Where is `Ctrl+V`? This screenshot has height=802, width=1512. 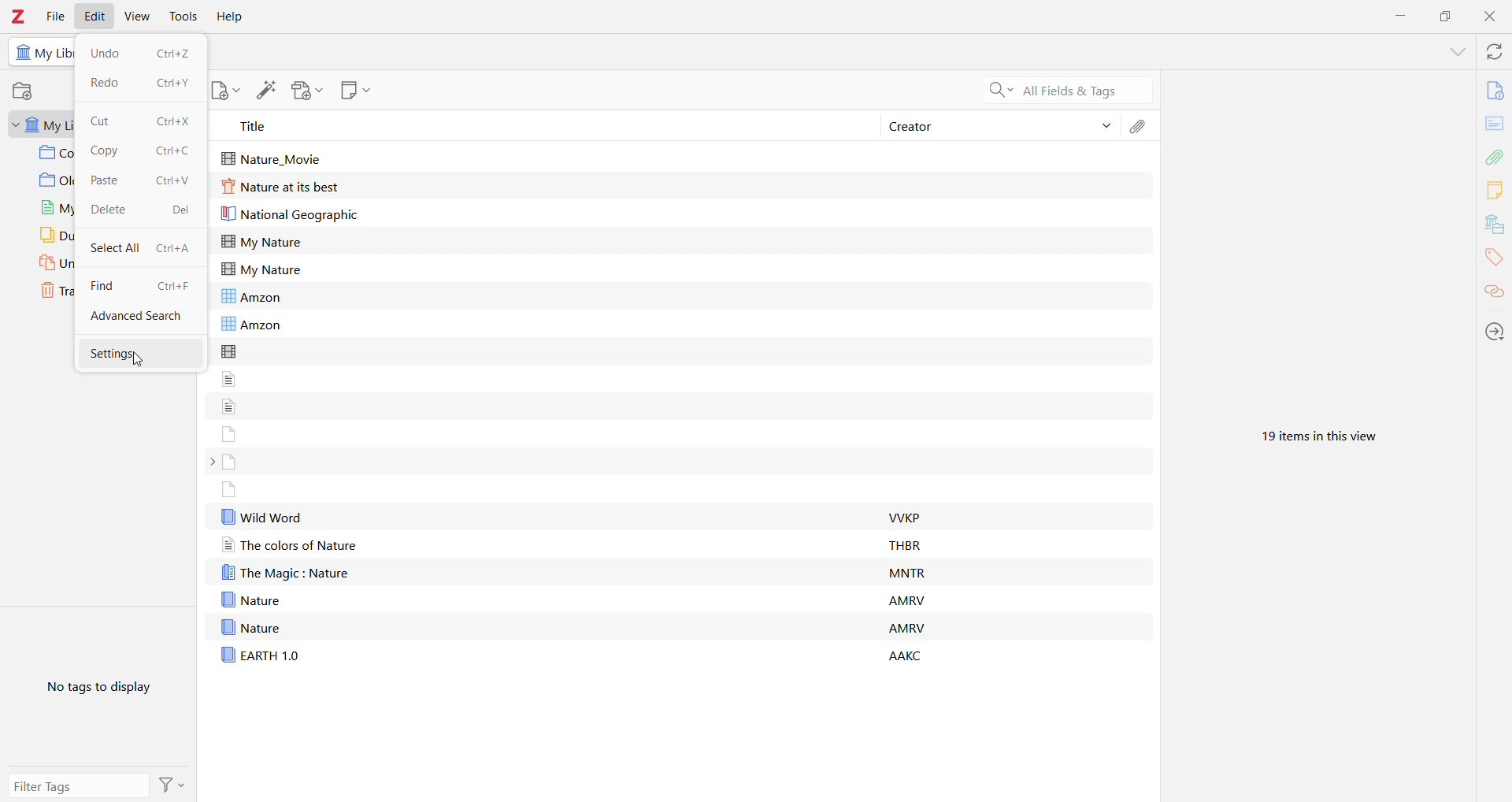 Ctrl+V is located at coordinates (175, 180).